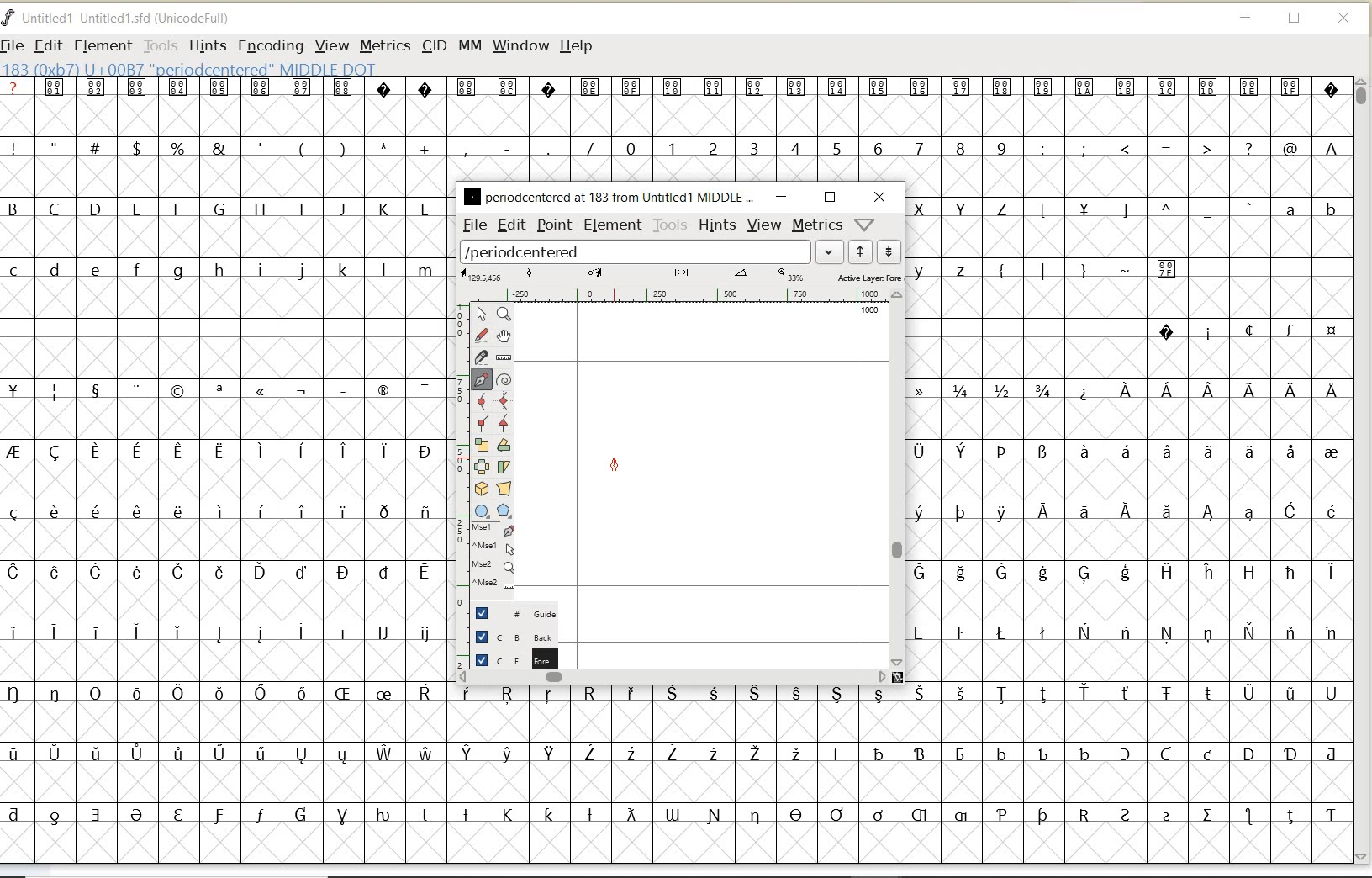 Image resolution: width=1372 pixels, height=878 pixels. I want to click on glyph info, so click(191, 68).